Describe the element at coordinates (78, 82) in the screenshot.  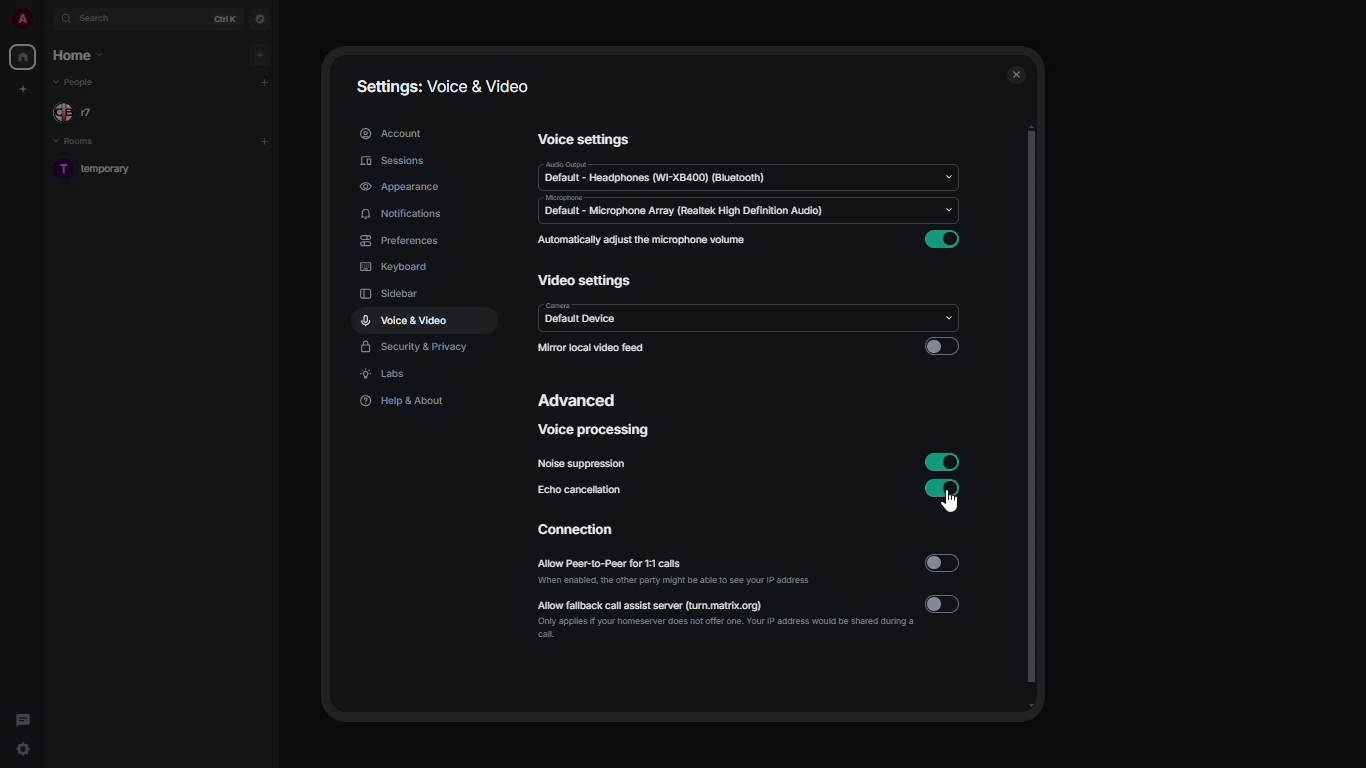
I see `people` at that location.